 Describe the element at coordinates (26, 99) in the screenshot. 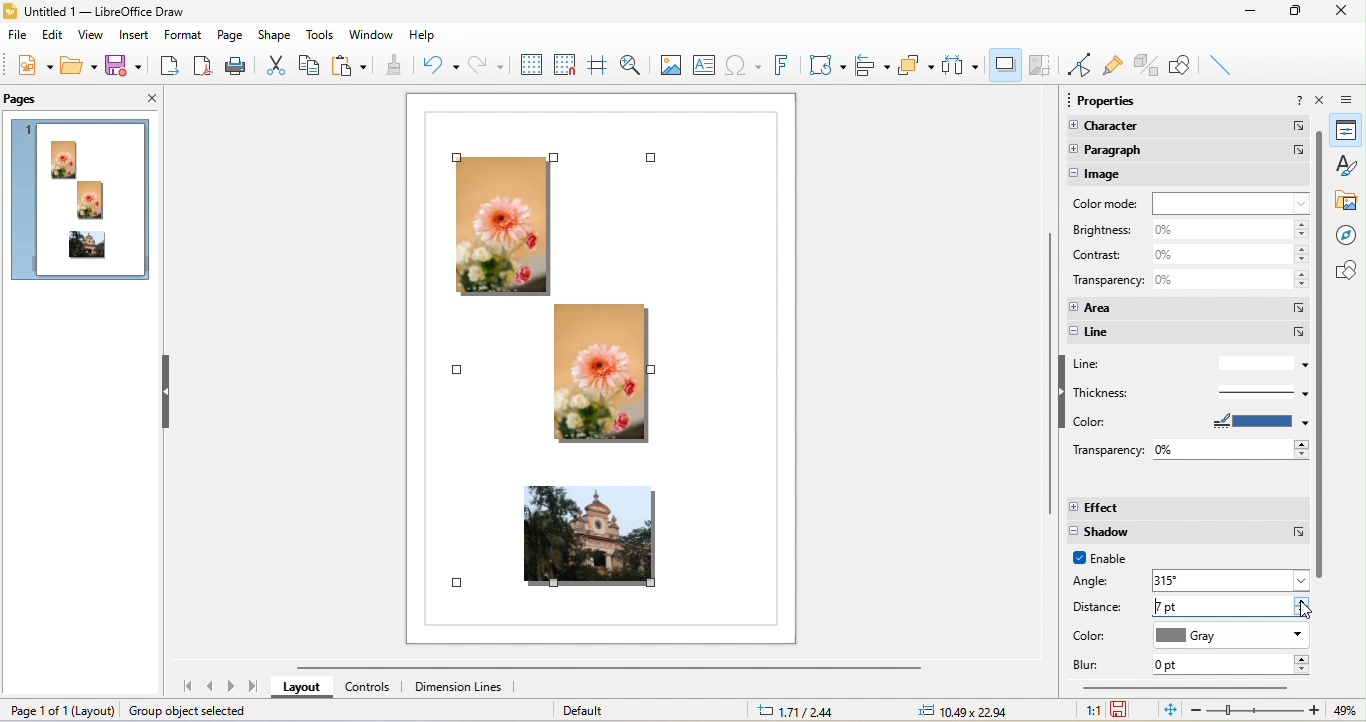

I see `pages` at that location.